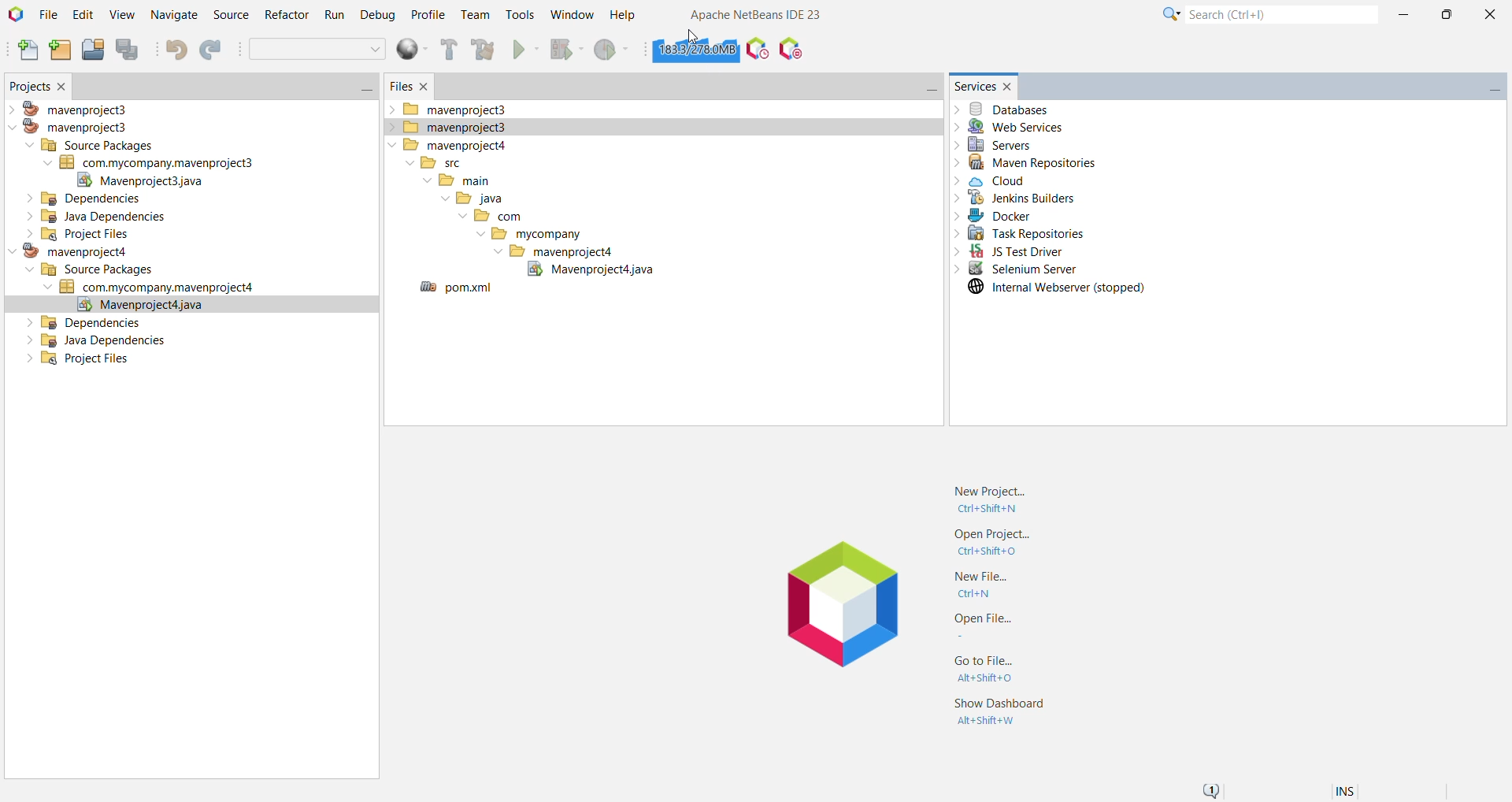  What do you see at coordinates (415, 50) in the screenshot?
I see `` at bounding box center [415, 50].